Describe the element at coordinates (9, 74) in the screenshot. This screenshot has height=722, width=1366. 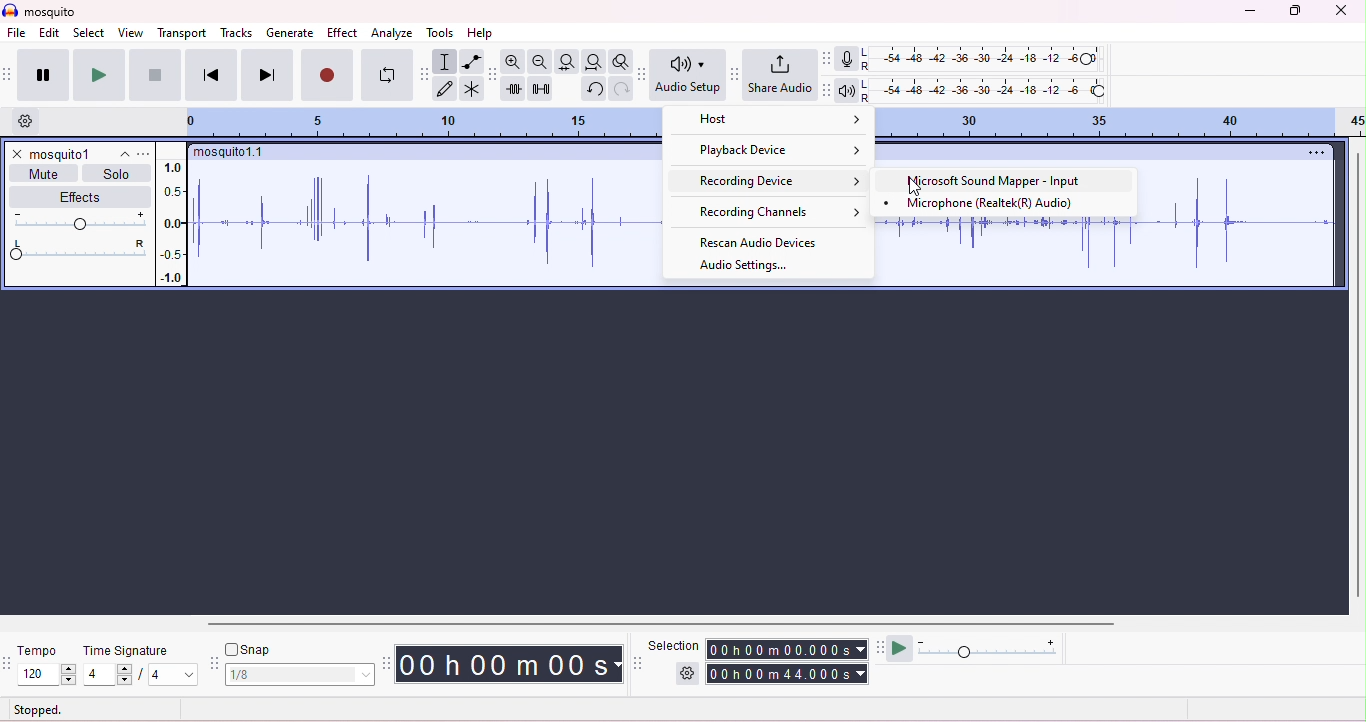
I see `toolbar` at that location.